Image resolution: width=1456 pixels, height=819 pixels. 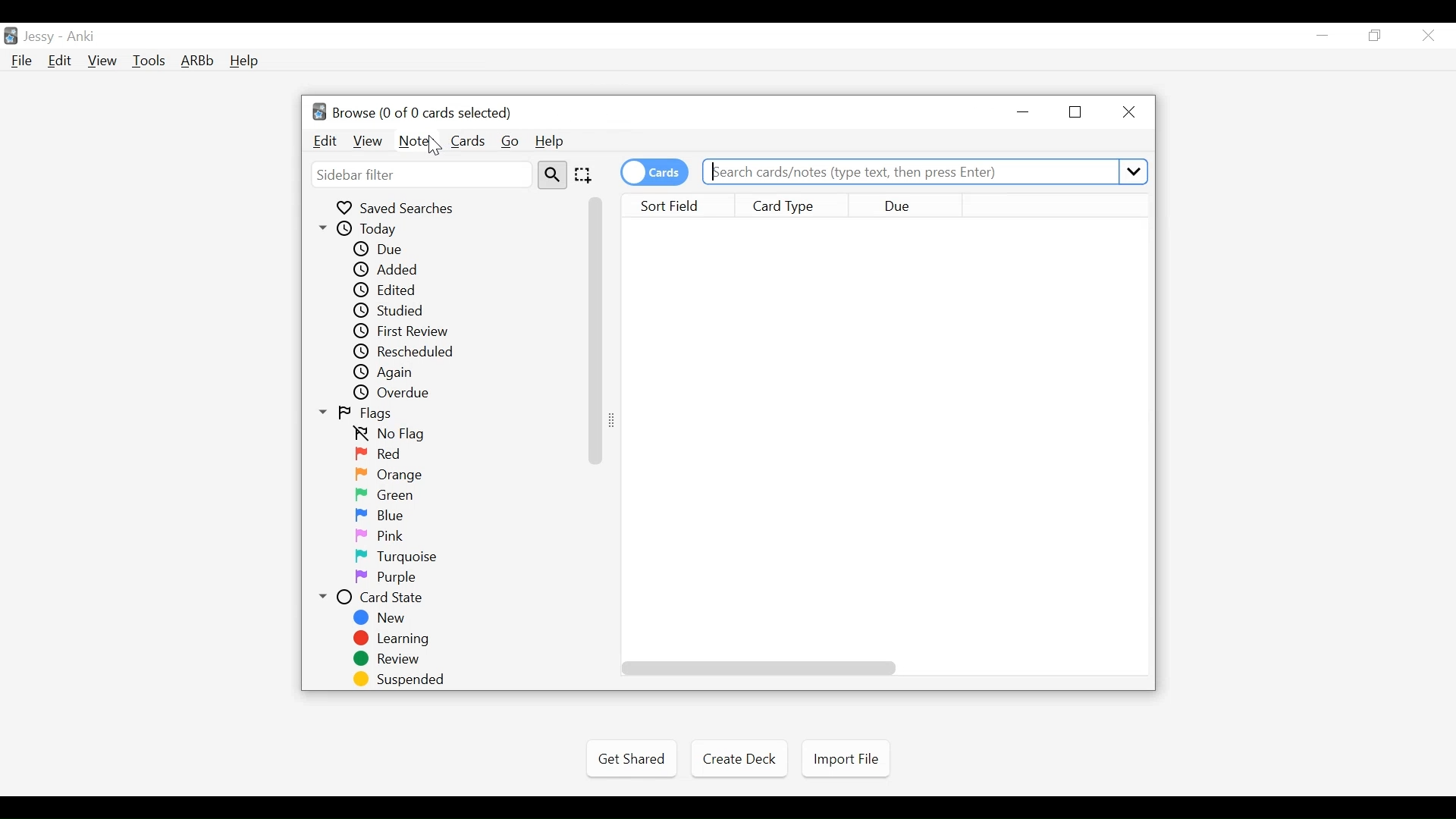 I want to click on Saved Searches, so click(x=397, y=208).